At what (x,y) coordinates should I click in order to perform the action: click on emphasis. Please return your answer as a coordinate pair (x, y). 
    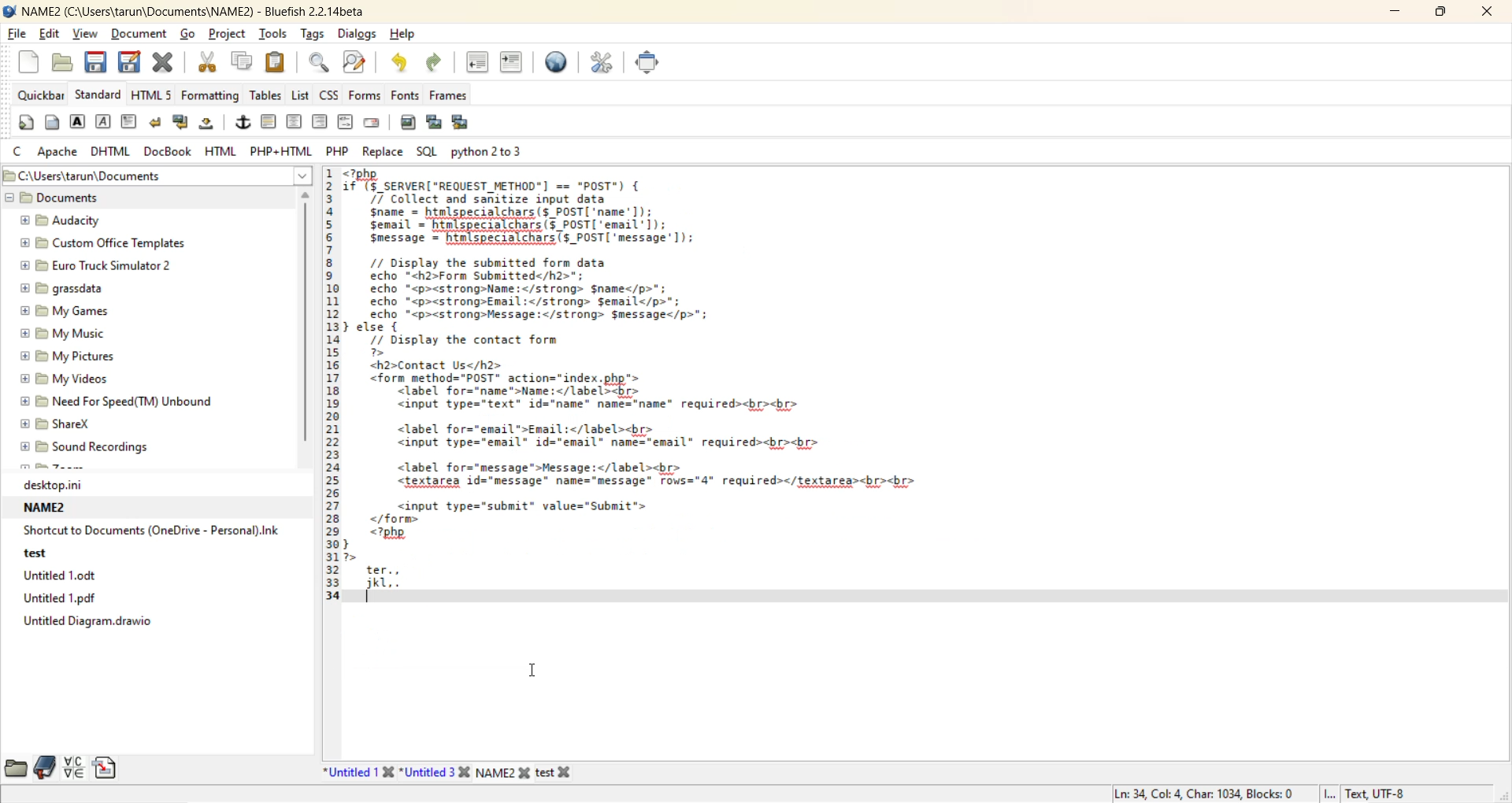
    Looking at the image, I should click on (105, 124).